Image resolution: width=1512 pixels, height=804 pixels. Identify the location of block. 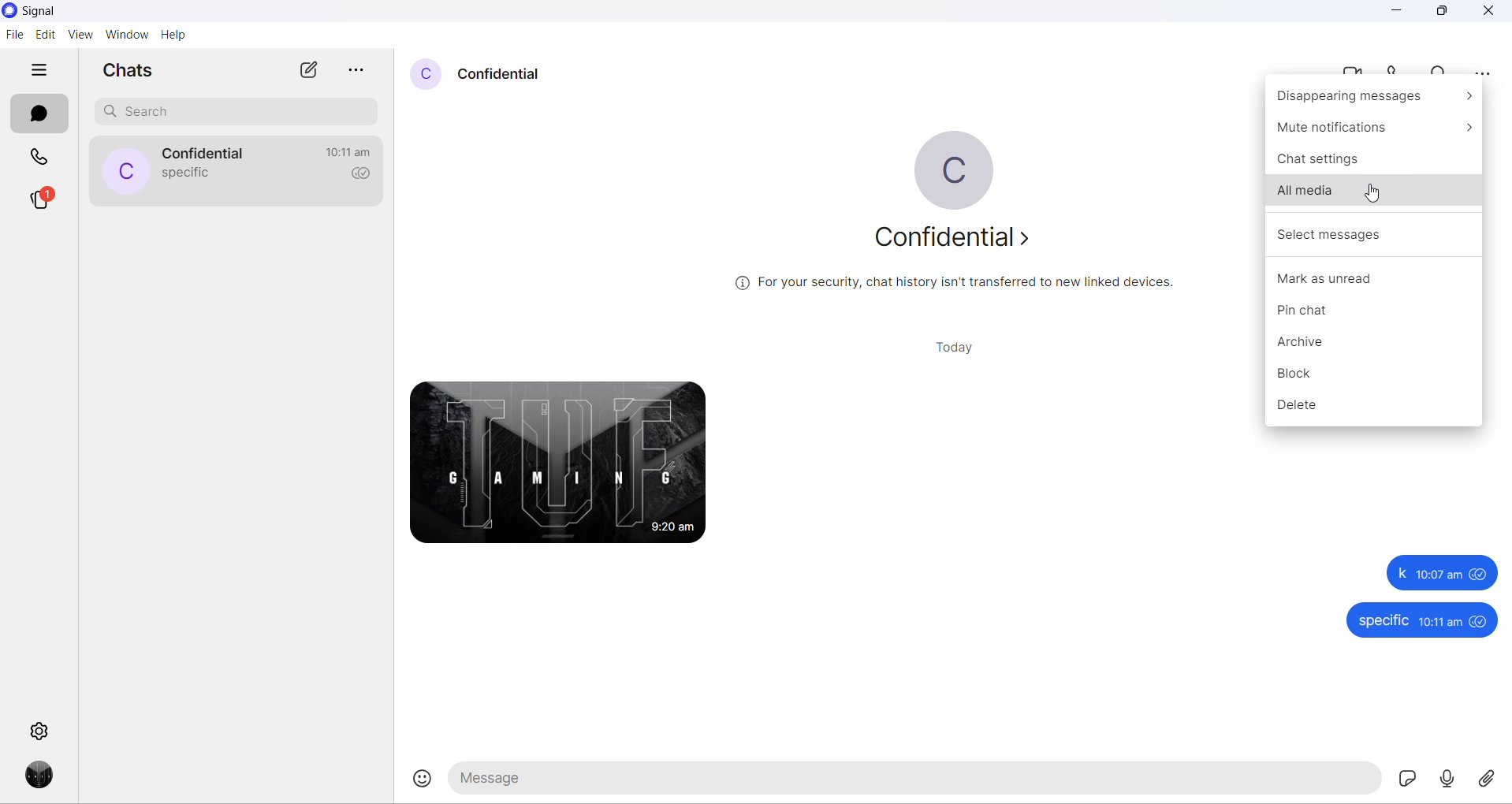
(1372, 371).